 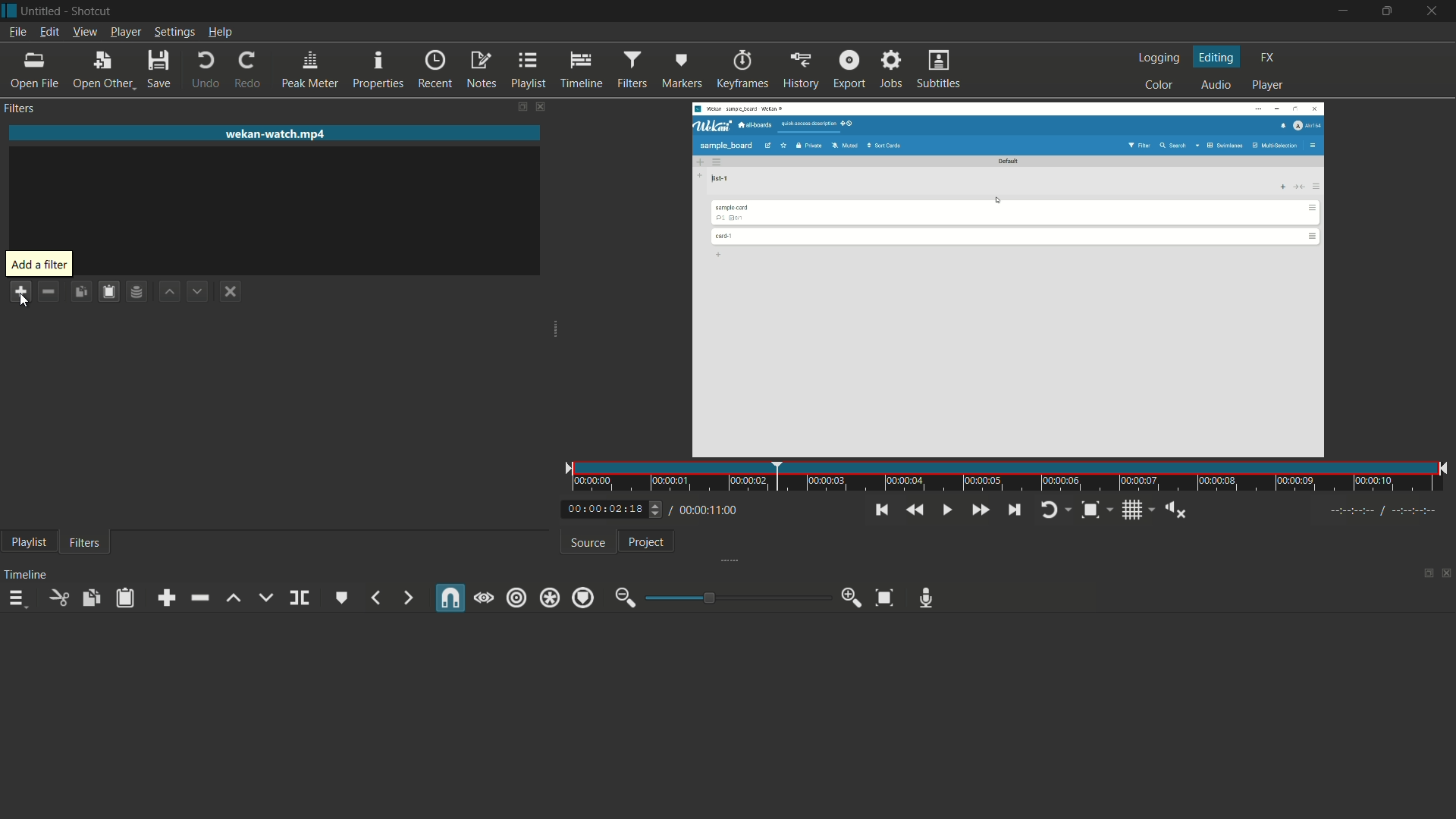 What do you see at coordinates (581, 71) in the screenshot?
I see `timeline` at bounding box center [581, 71].